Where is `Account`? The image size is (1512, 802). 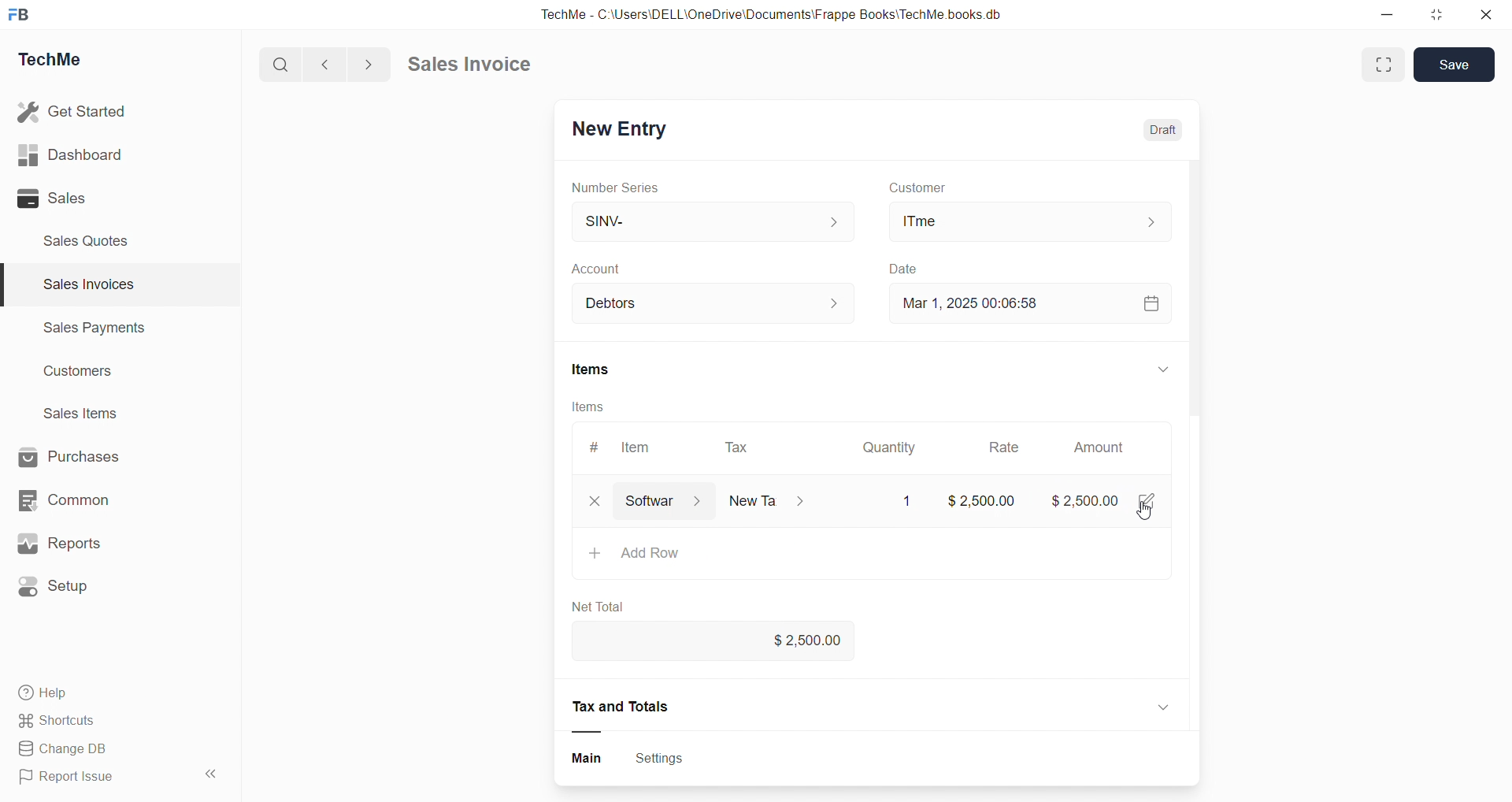
Account is located at coordinates (621, 304).